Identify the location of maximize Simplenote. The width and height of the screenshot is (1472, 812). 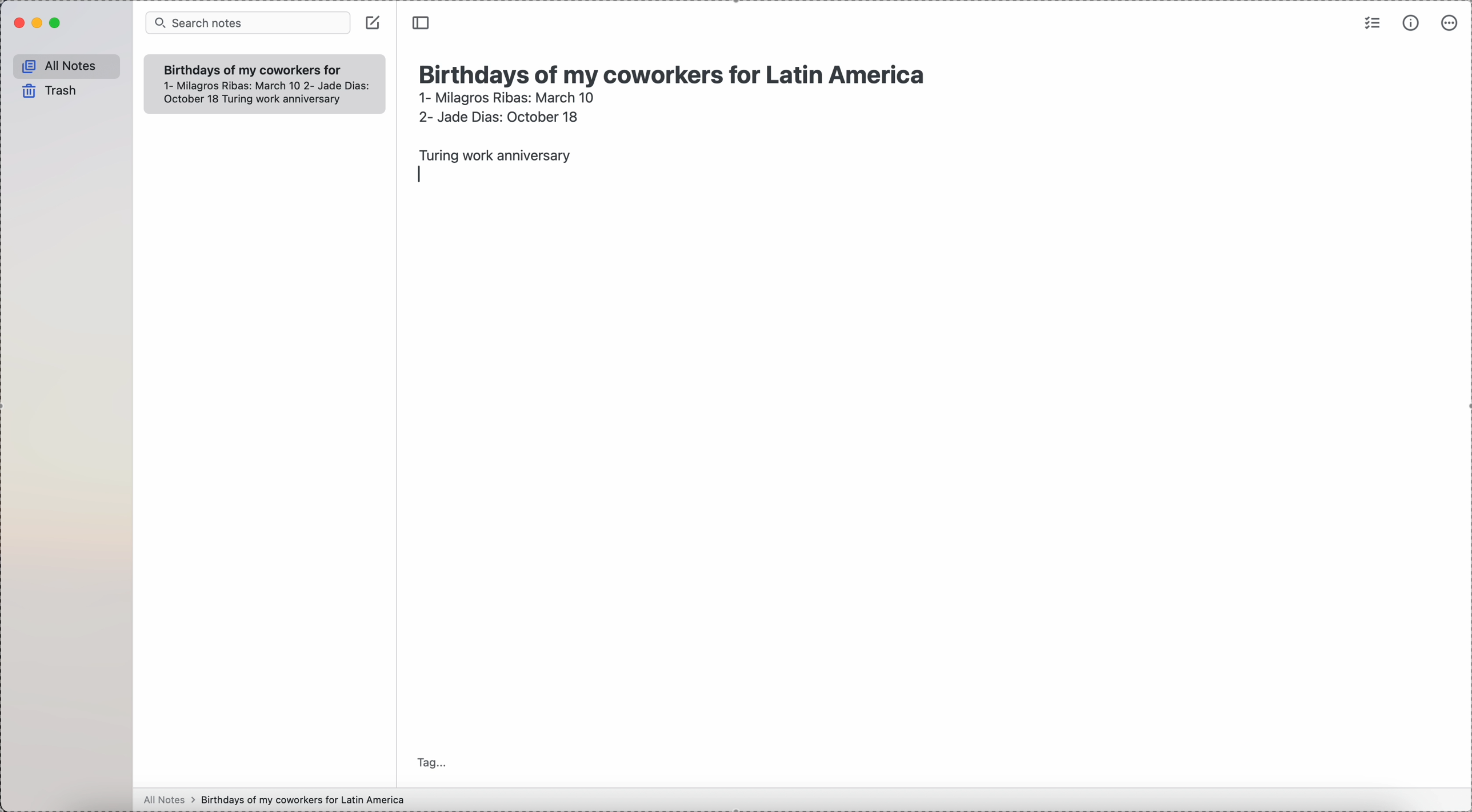
(56, 23).